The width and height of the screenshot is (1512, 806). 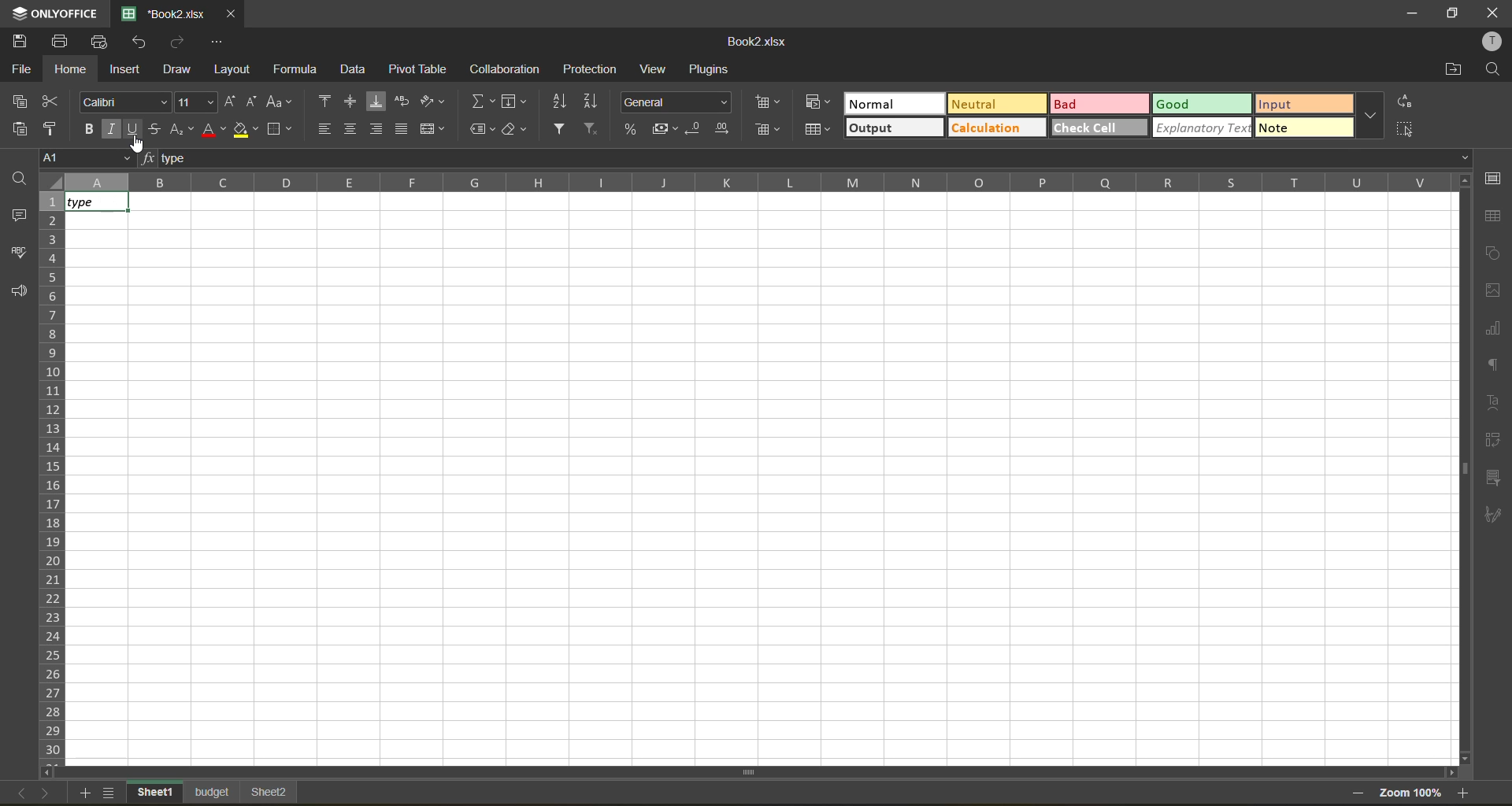 What do you see at coordinates (279, 131) in the screenshot?
I see `borders` at bounding box center [279, 131].